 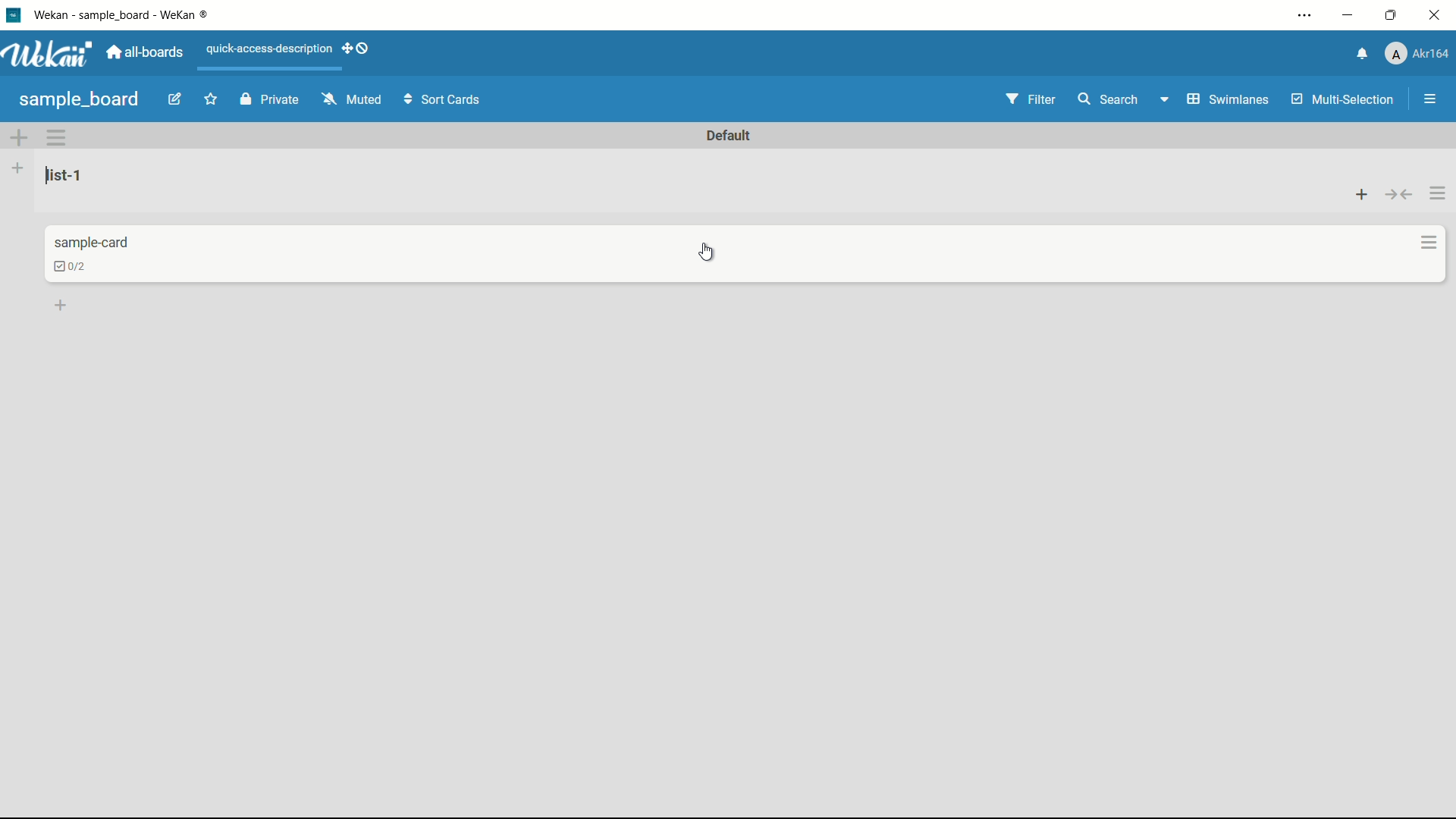 What do you see at coordinates (13, 16) in the screenshot?
I see `app icon` at bounding box center [13, 16].